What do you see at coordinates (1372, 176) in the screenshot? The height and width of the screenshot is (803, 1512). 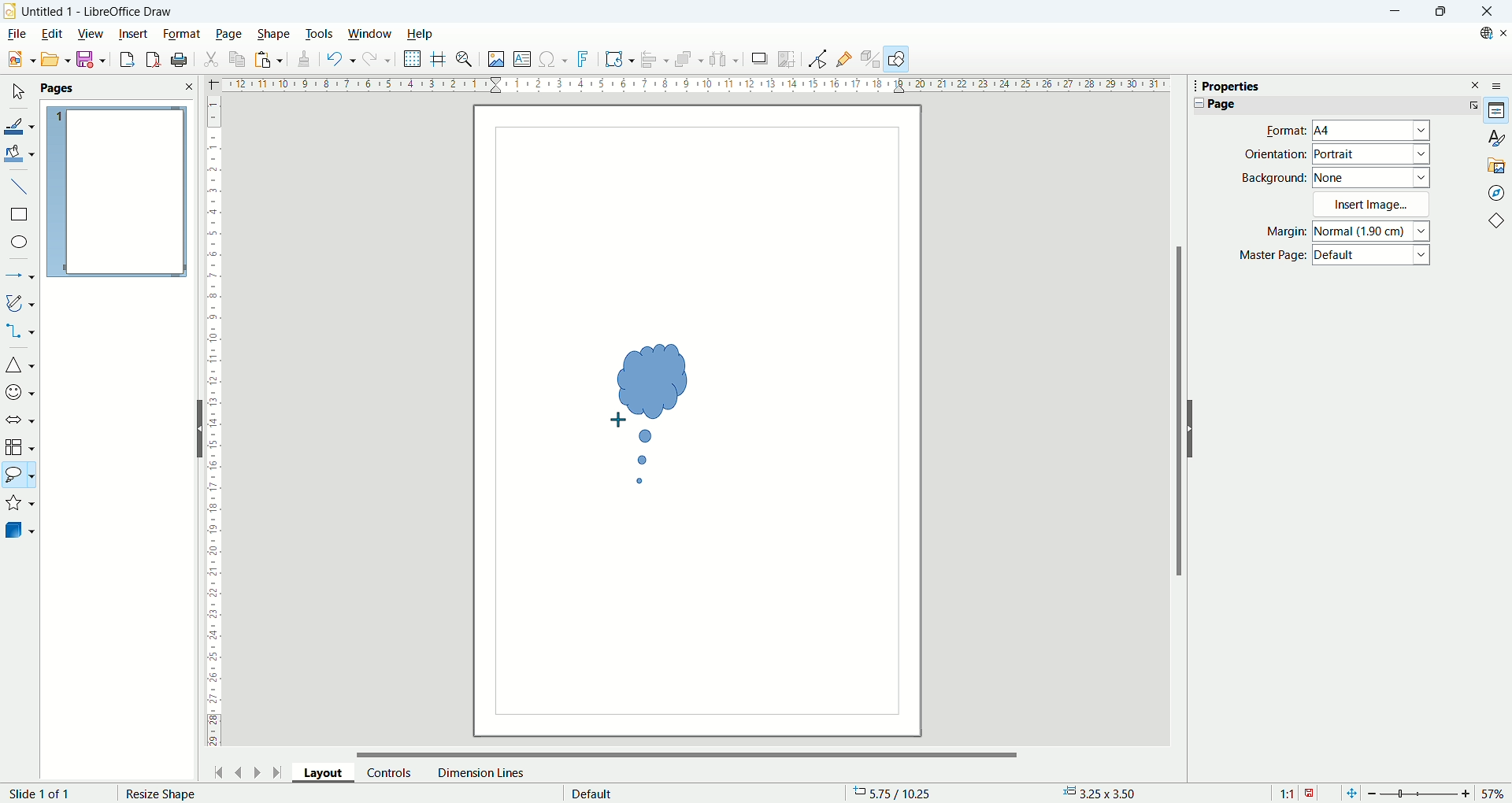 I see `None` at bounding box center [1372, 176].